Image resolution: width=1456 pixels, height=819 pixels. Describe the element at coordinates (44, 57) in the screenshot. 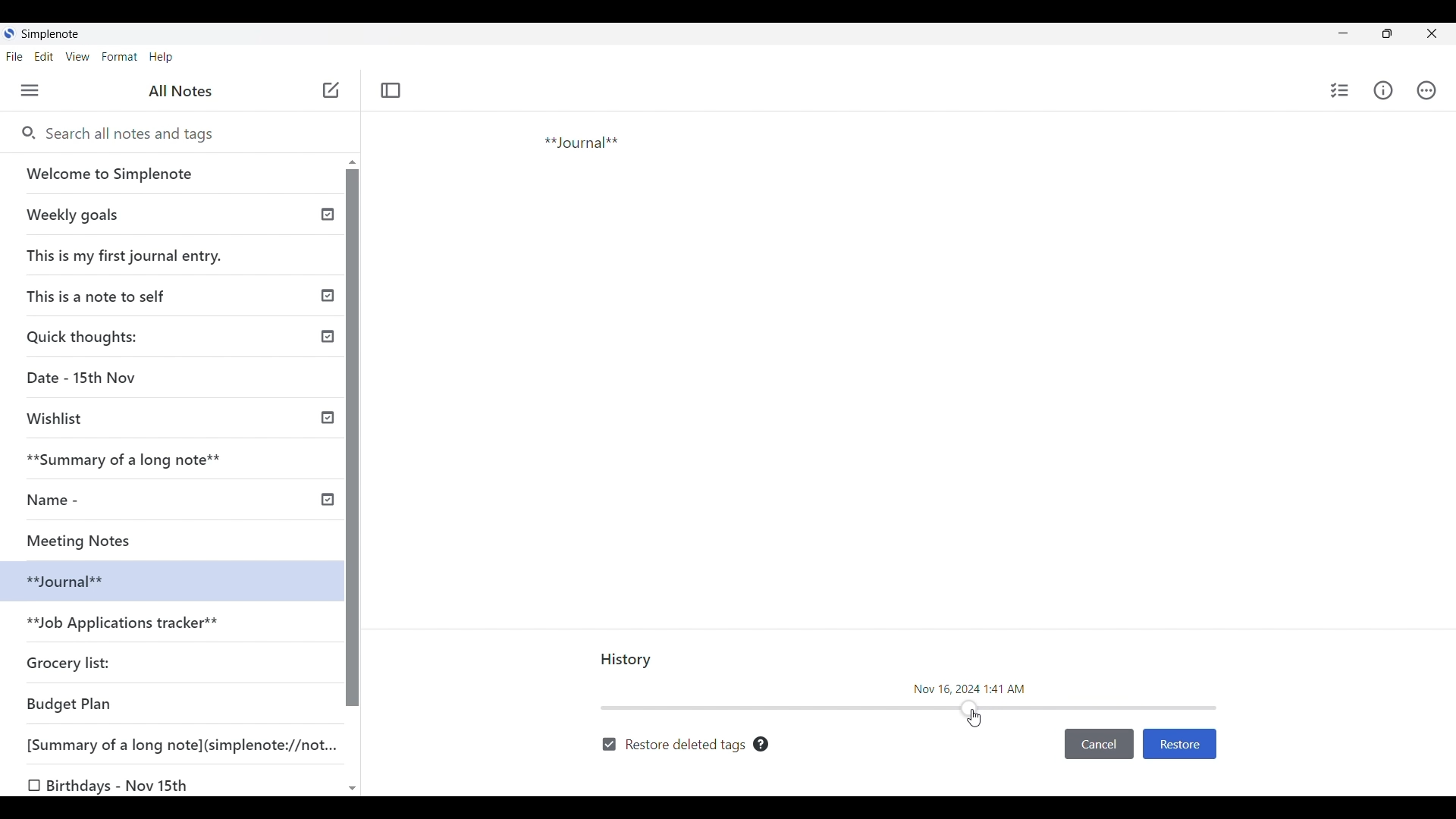

I see `Edit menu` at that location.